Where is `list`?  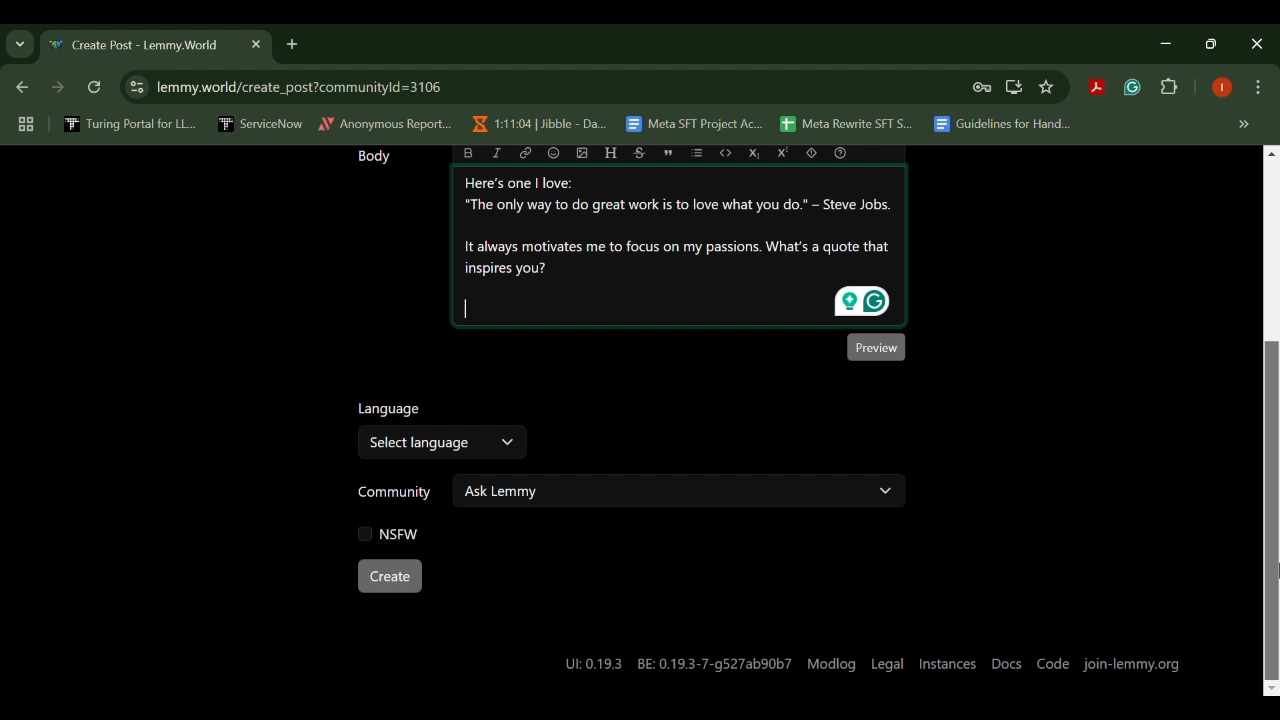
list is located at coordinates (699, 153).